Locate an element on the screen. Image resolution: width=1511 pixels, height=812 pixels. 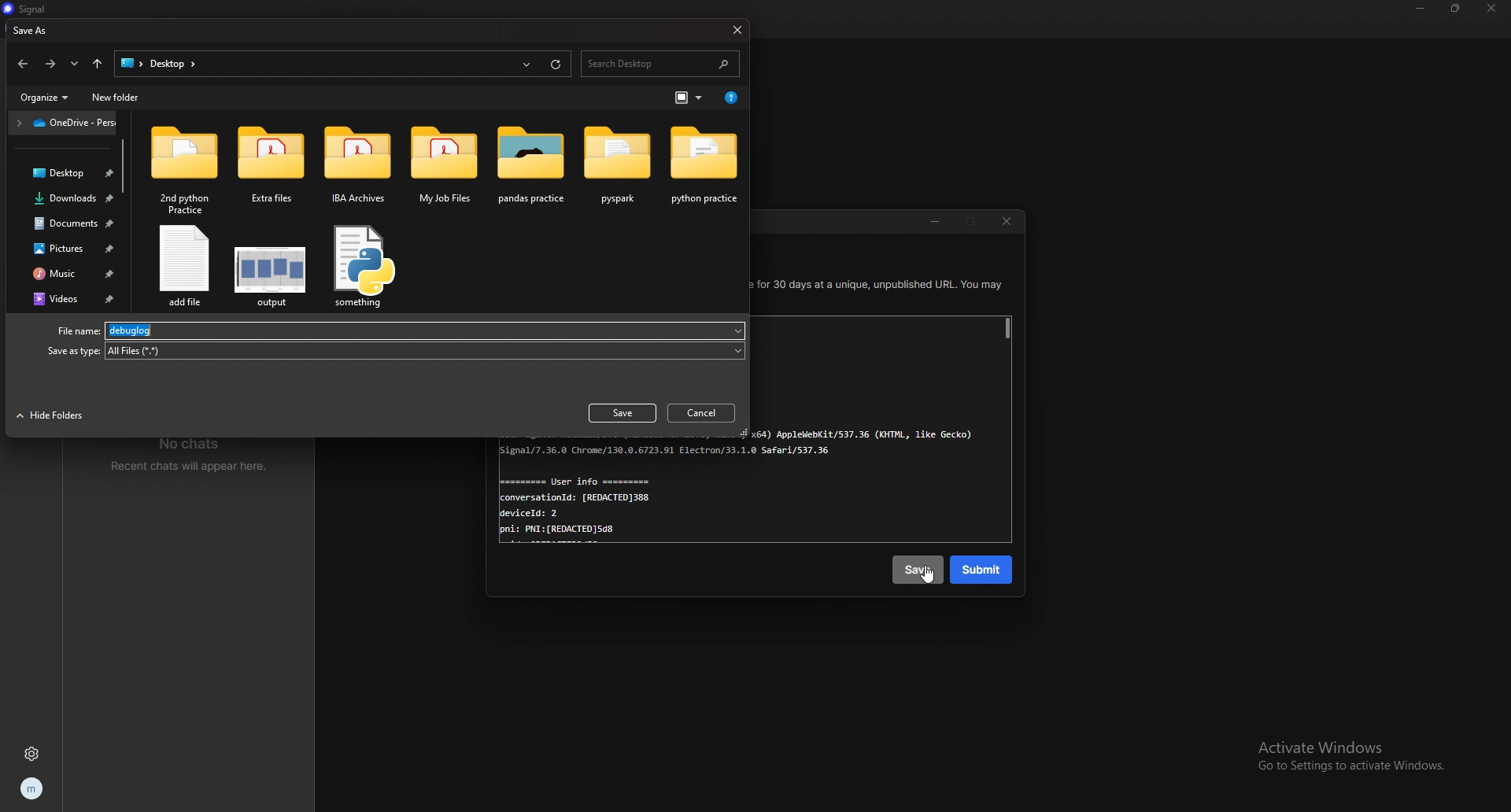
pictures is located at coordinates (68, 249).